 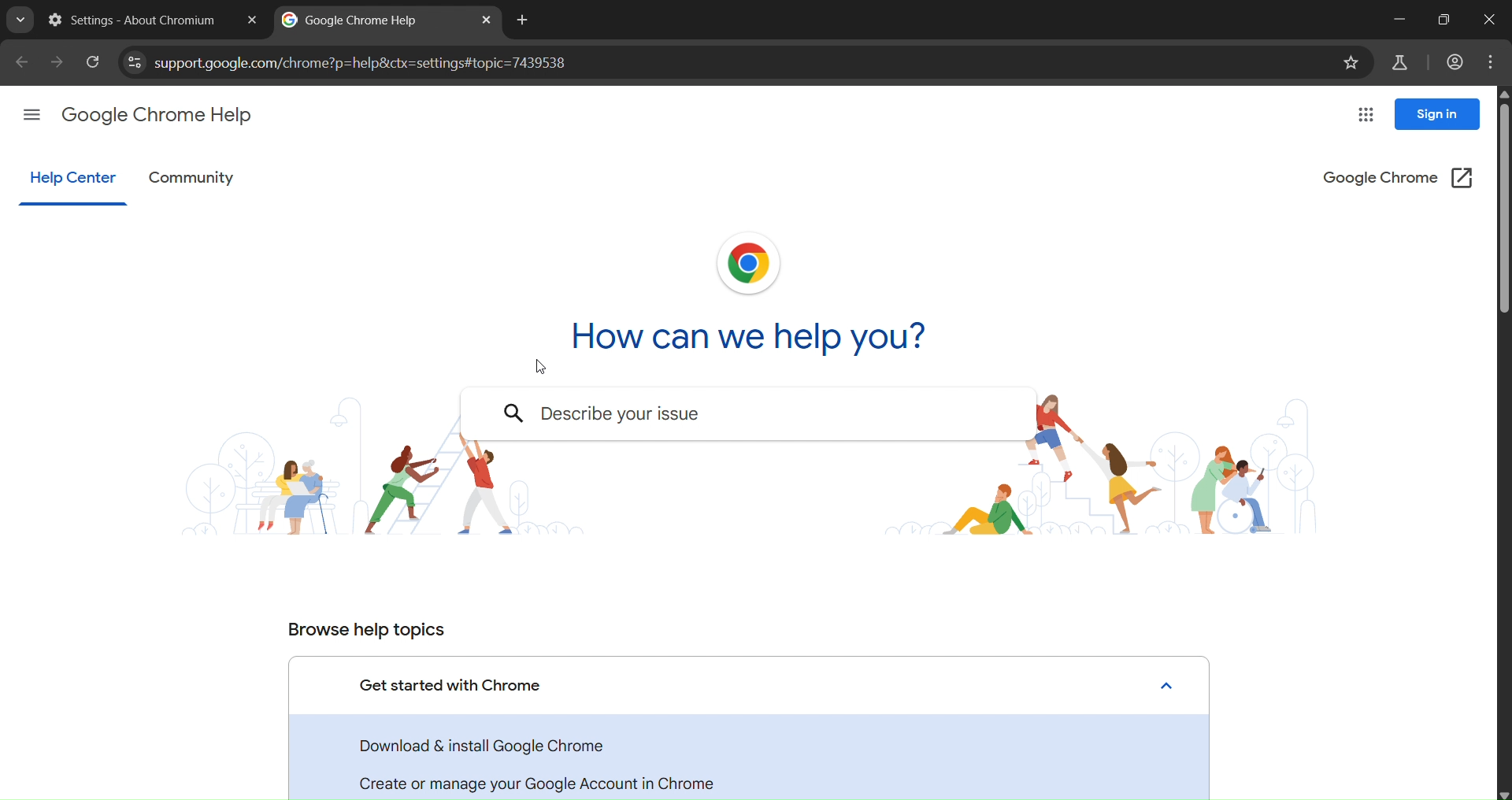 What do you see at coordinates (31, 115) in the screenshot?
I see `sidebar` at bounding box center [31, 115].